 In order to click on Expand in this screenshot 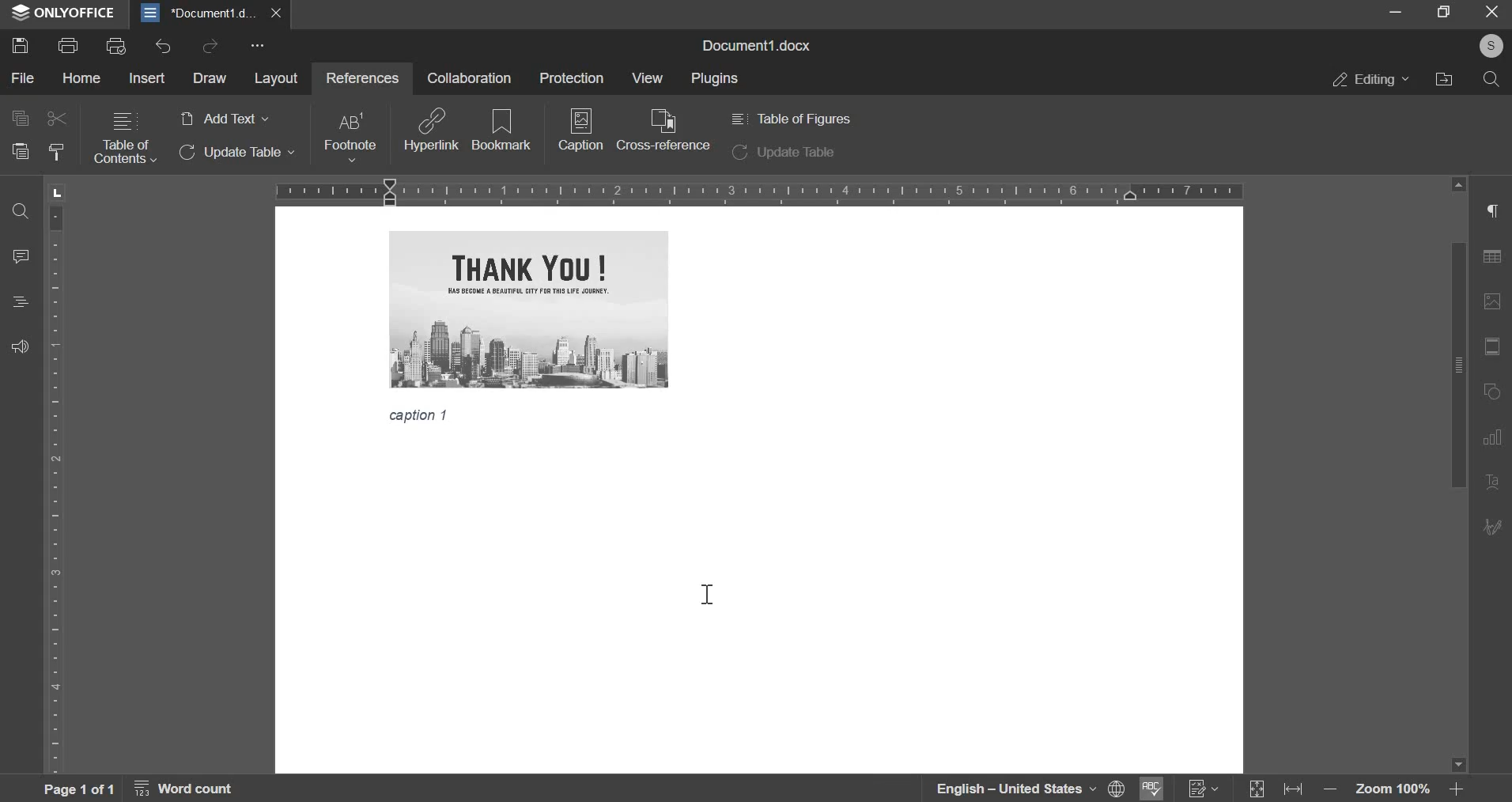, I will do `click(1258, 790)`.